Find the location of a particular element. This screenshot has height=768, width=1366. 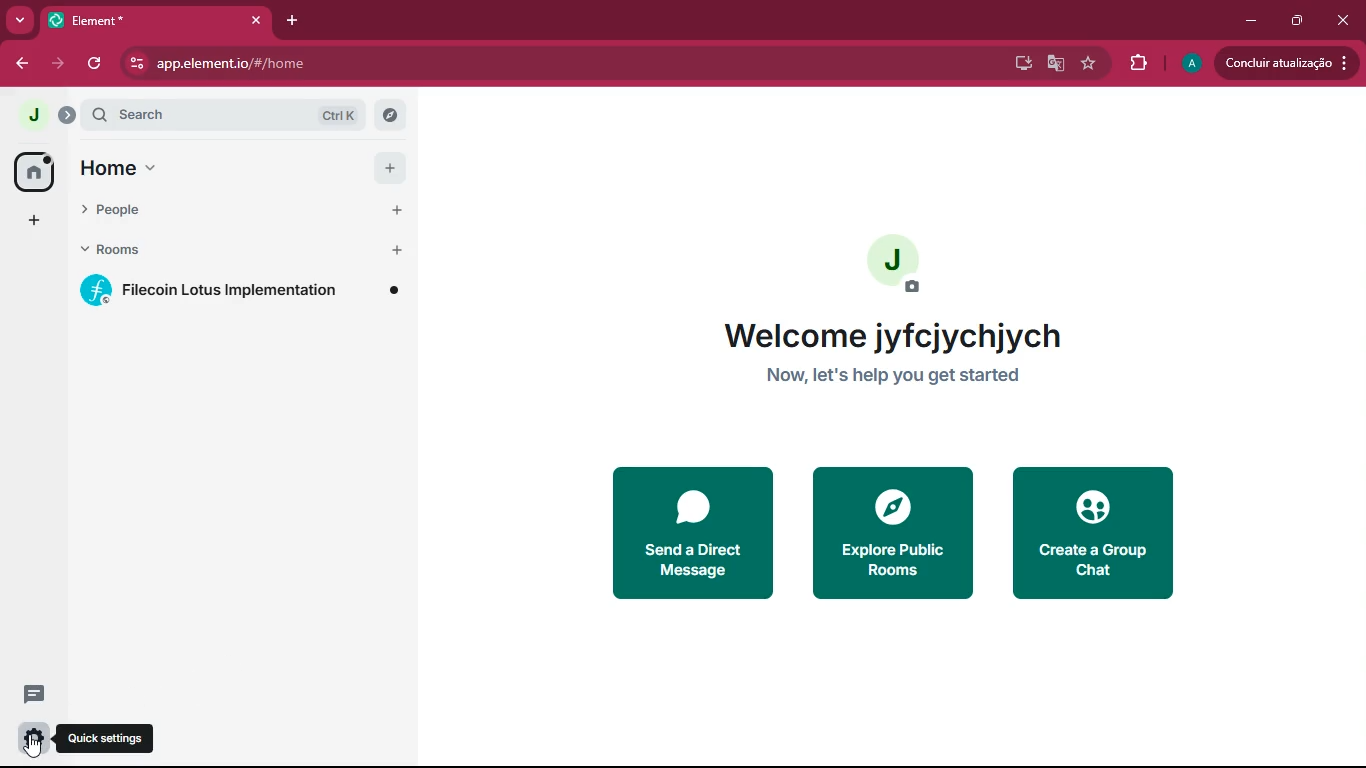

refresh is located at coordinates (96, 65).